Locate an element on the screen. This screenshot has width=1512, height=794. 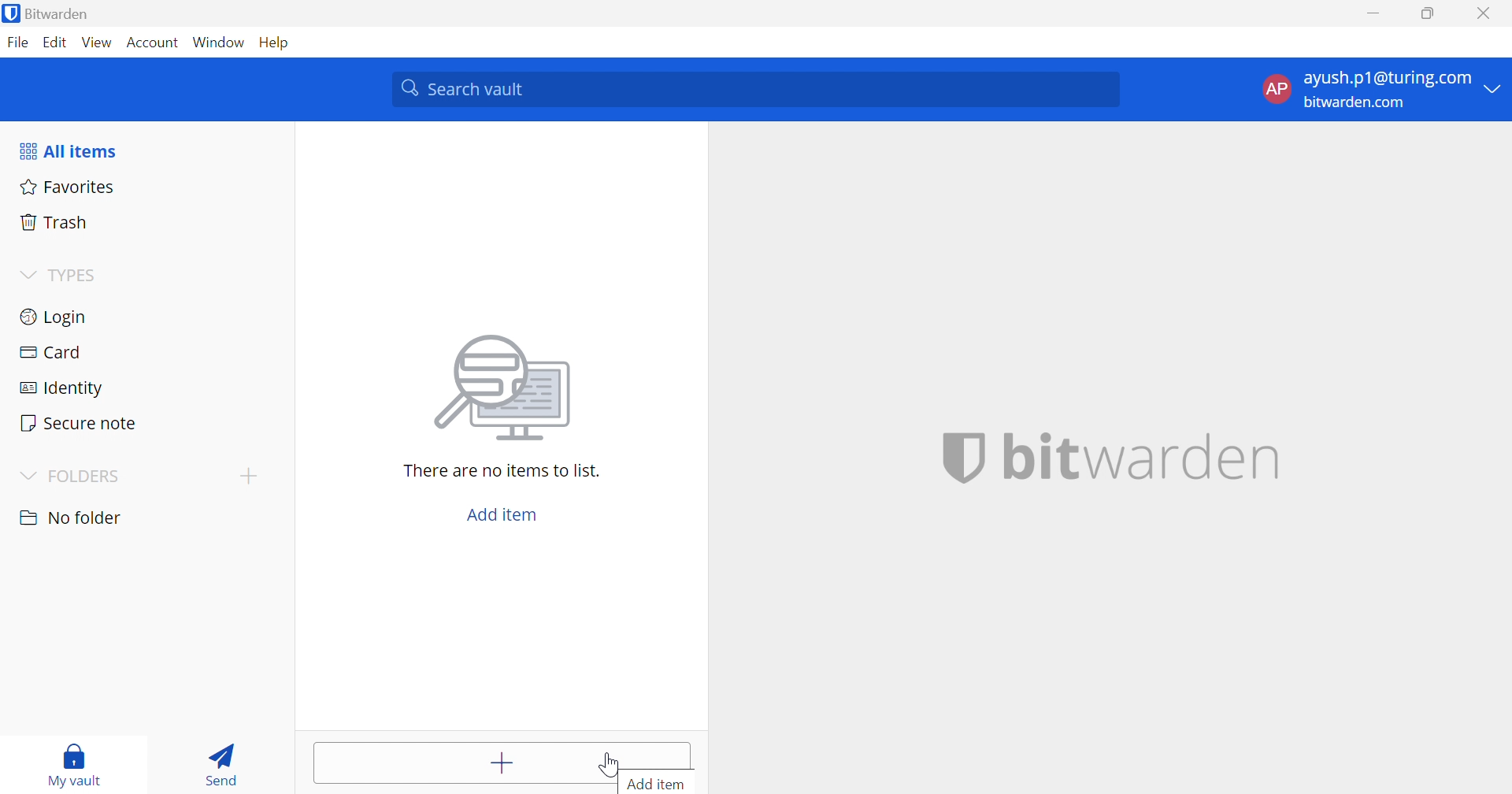
Send is located at coordinates (220, 762).